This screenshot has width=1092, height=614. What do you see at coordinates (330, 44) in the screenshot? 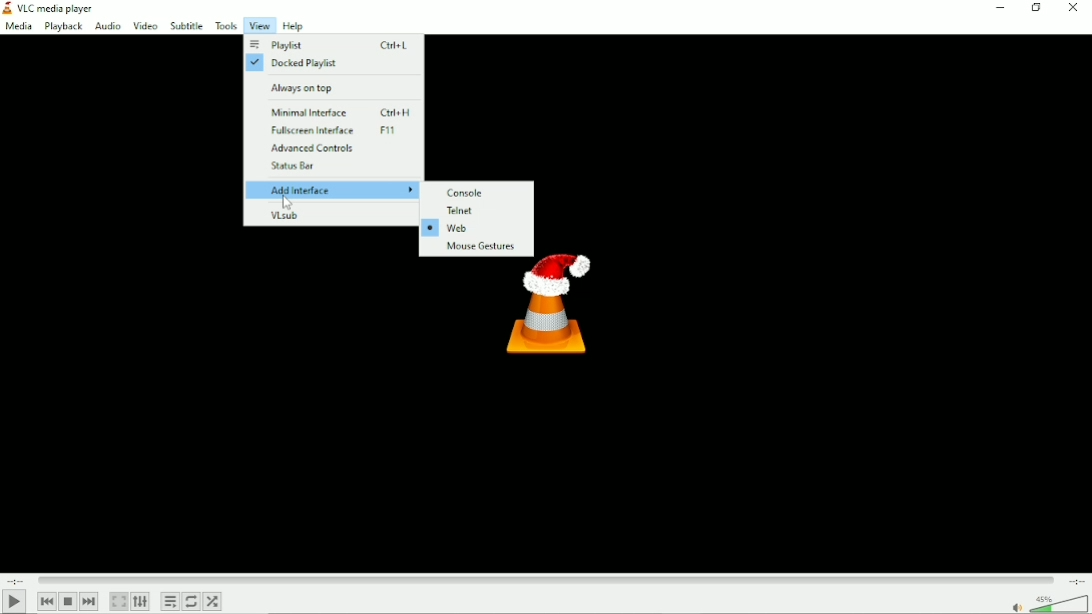
I see `Playlist` at bounding box center [330, 44].